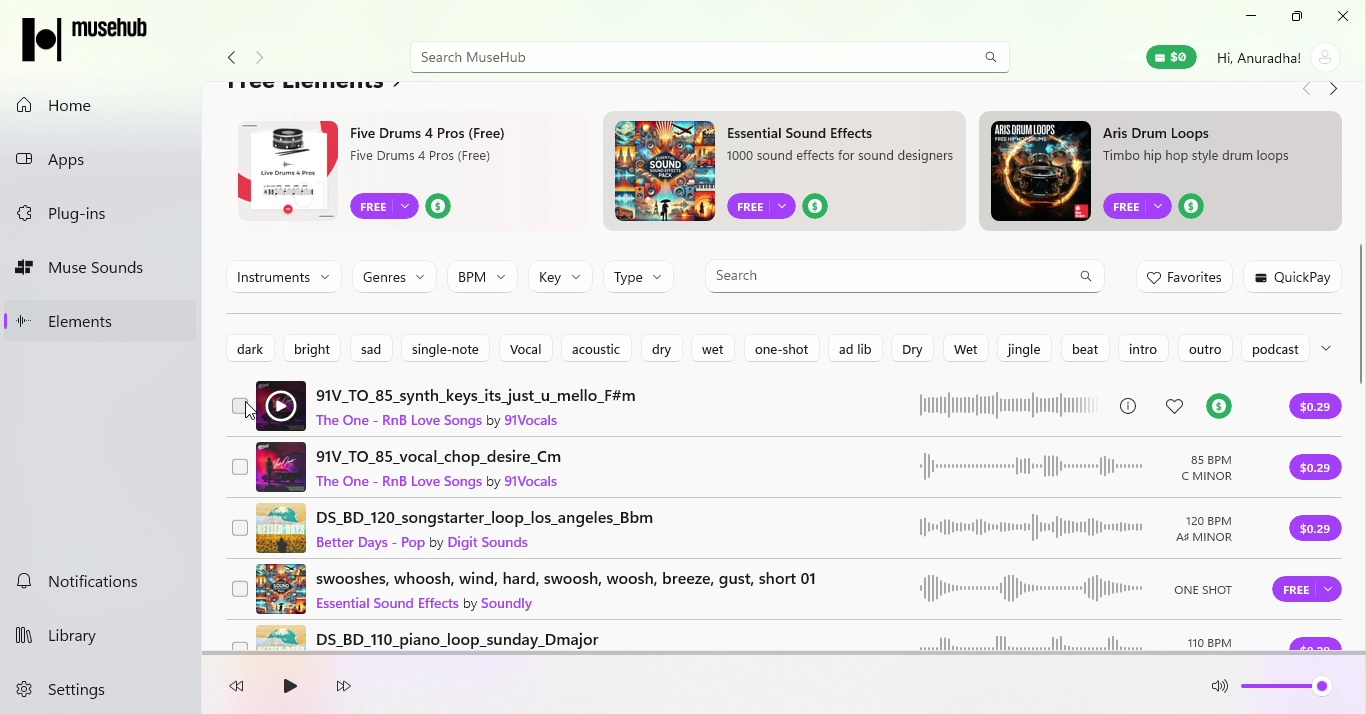 The width and height of the screenshot is (1366, 714). I want to click on purchase, so click(1313, 531).